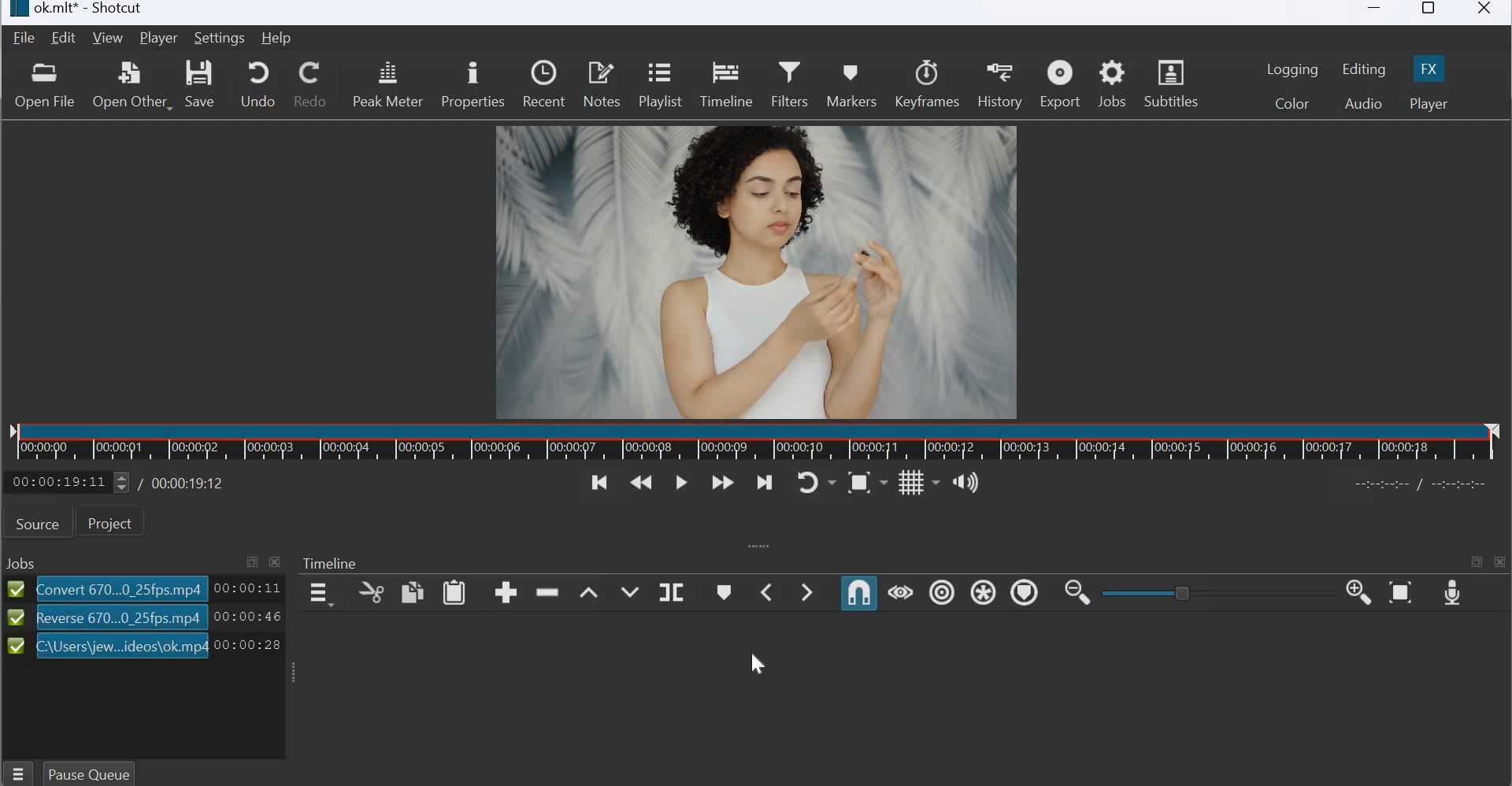  What do you see at coordinates (36, 524) in the screenshot?
I see `Source` at bounding box center [36, 524].